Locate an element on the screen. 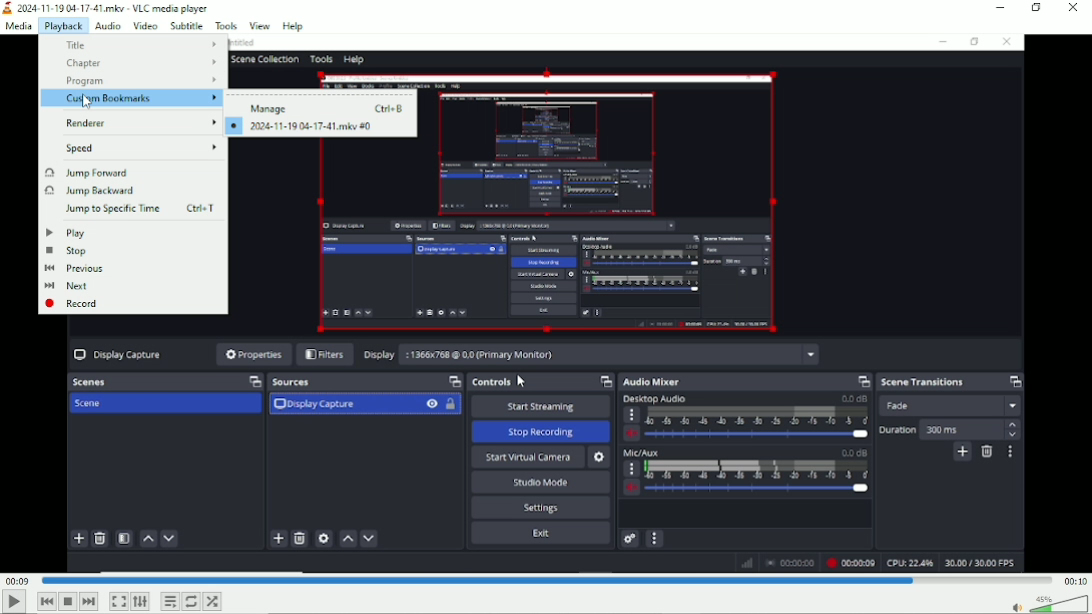 Image resolution: width=1092 pixels, height=614 pixels. 2024-11-19 04-17-41.mkv#0 is located at coordinates (307, 126).